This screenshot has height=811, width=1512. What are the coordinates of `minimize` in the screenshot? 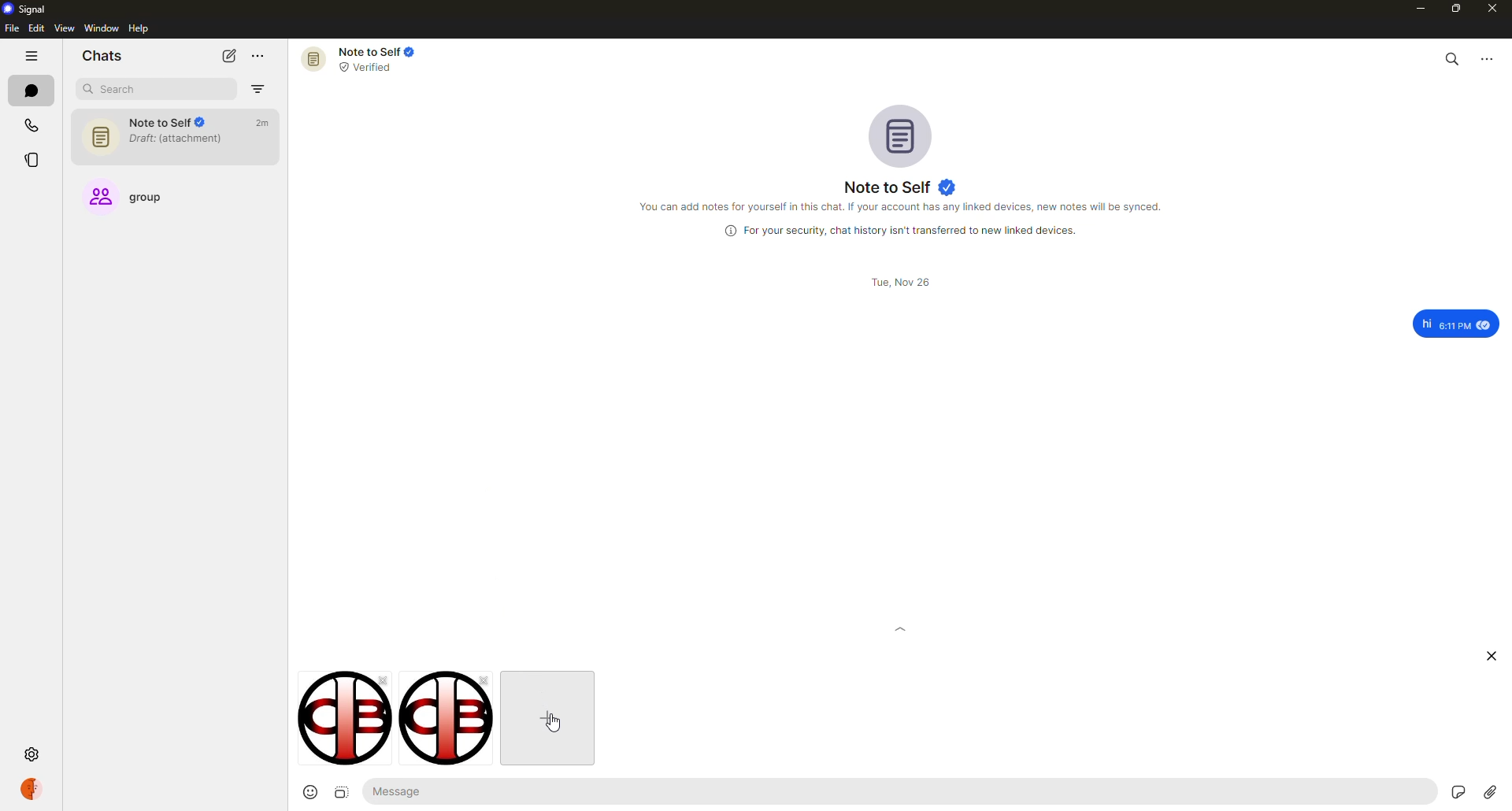 It's located at (1414, 9).